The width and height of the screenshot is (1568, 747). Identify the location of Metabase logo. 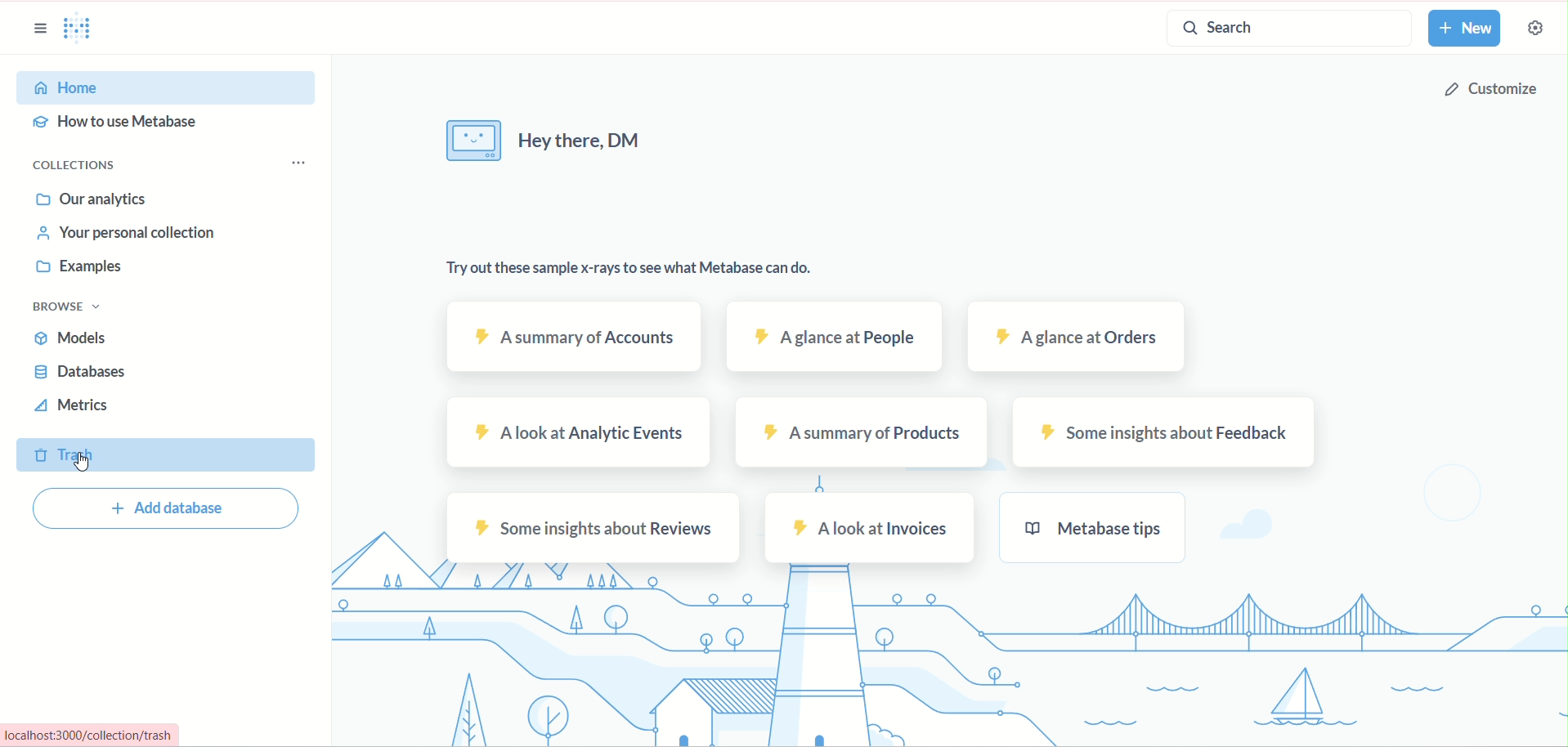
(83, 30).